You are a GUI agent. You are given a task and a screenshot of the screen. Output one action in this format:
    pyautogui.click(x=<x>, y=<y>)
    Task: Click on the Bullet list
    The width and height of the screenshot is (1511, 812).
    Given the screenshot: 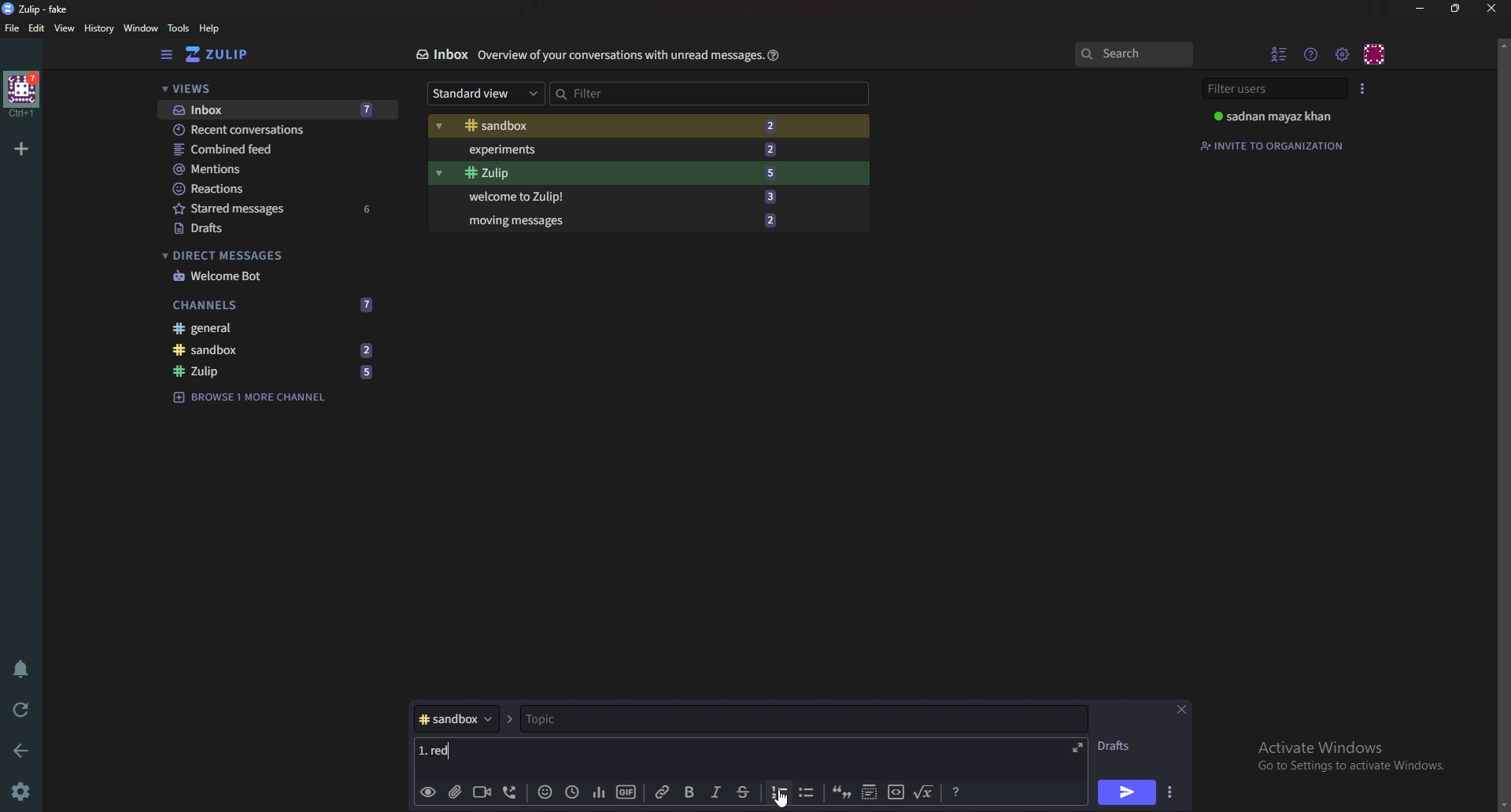 What is the action you would take?
    pyautogui.click(x=806, y=793)
    